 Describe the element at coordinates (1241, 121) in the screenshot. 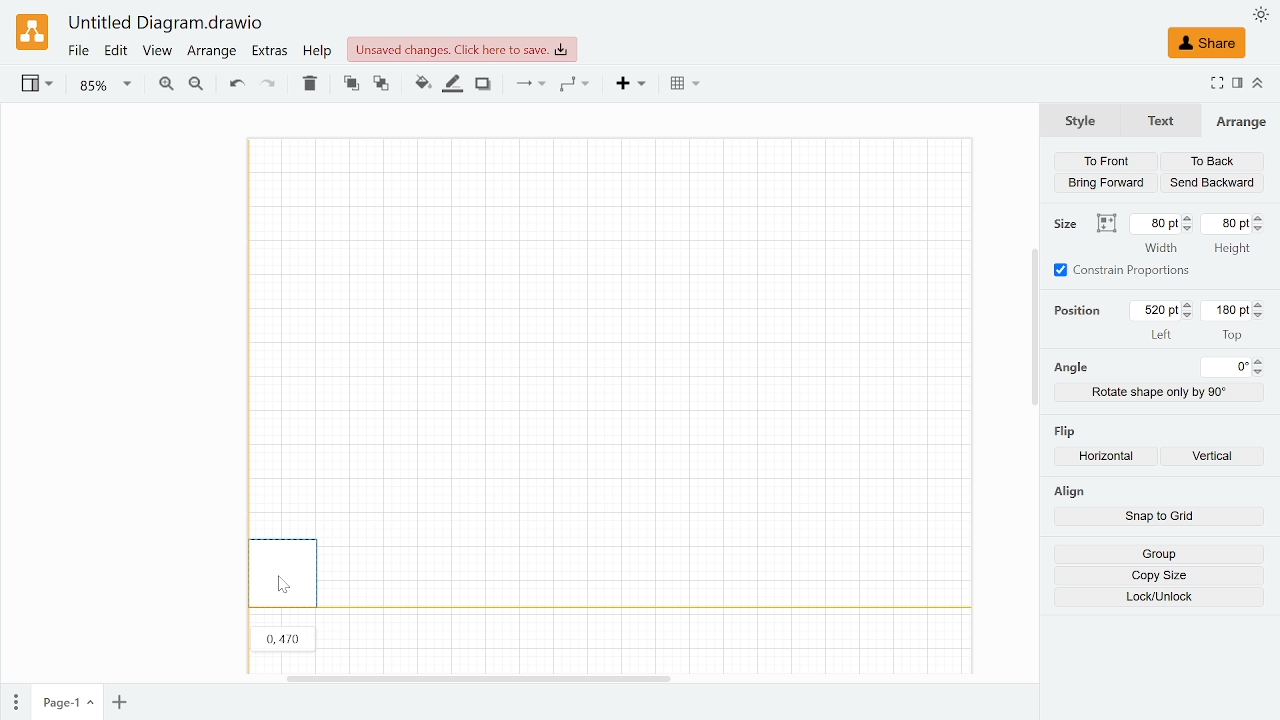

I see `Arrange` at that location.